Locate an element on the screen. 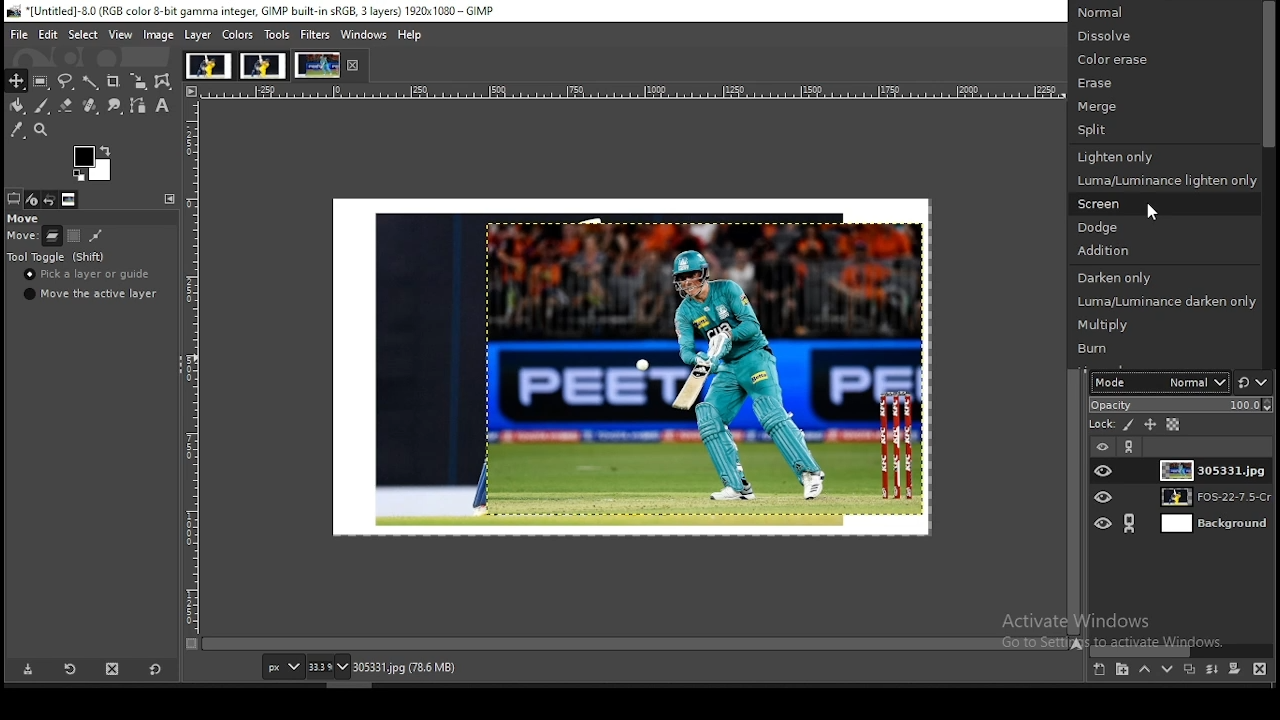  scroll bar is located at coordinates (1183, 651).